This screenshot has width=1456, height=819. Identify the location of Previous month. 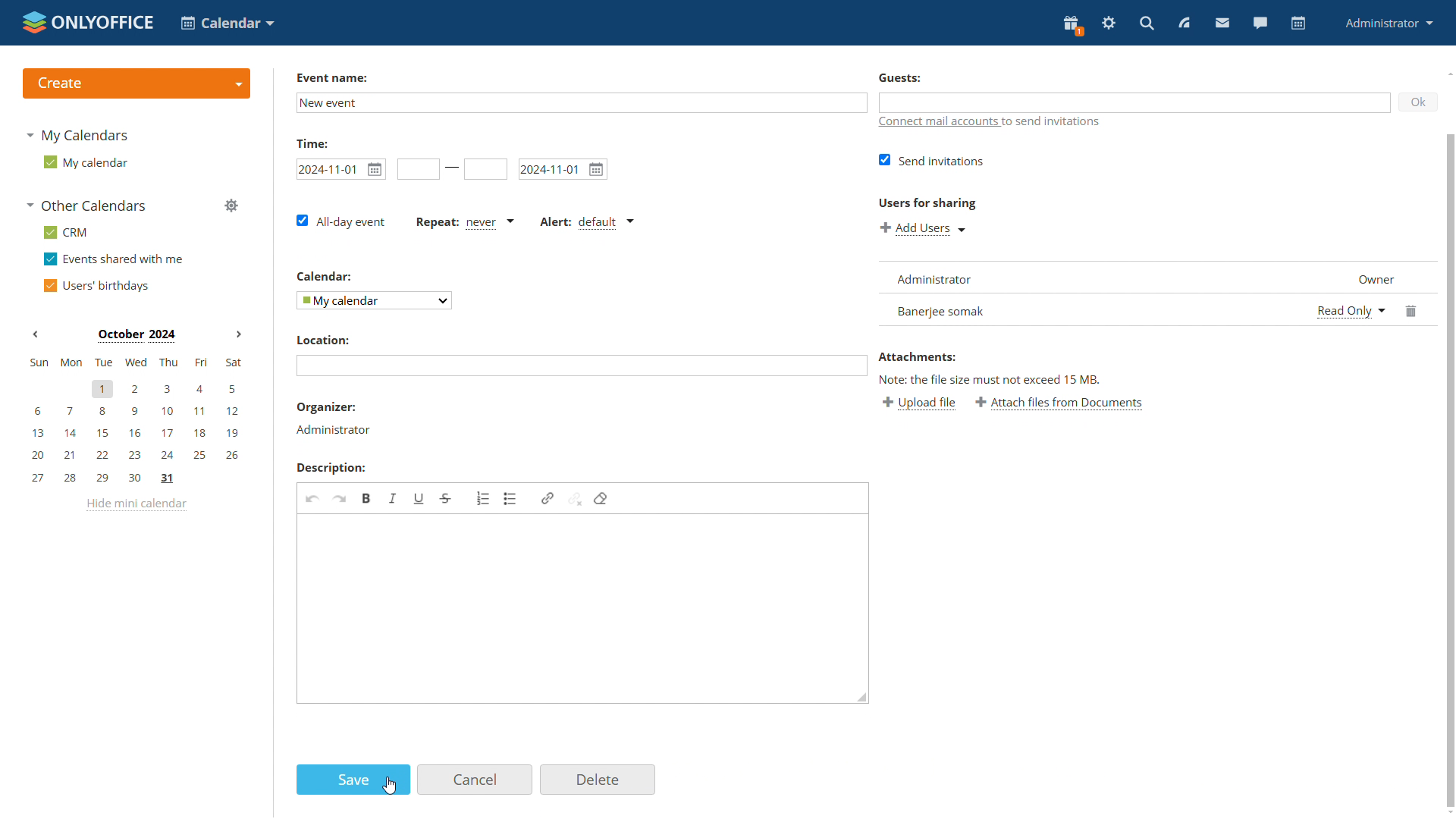
(36, 336).